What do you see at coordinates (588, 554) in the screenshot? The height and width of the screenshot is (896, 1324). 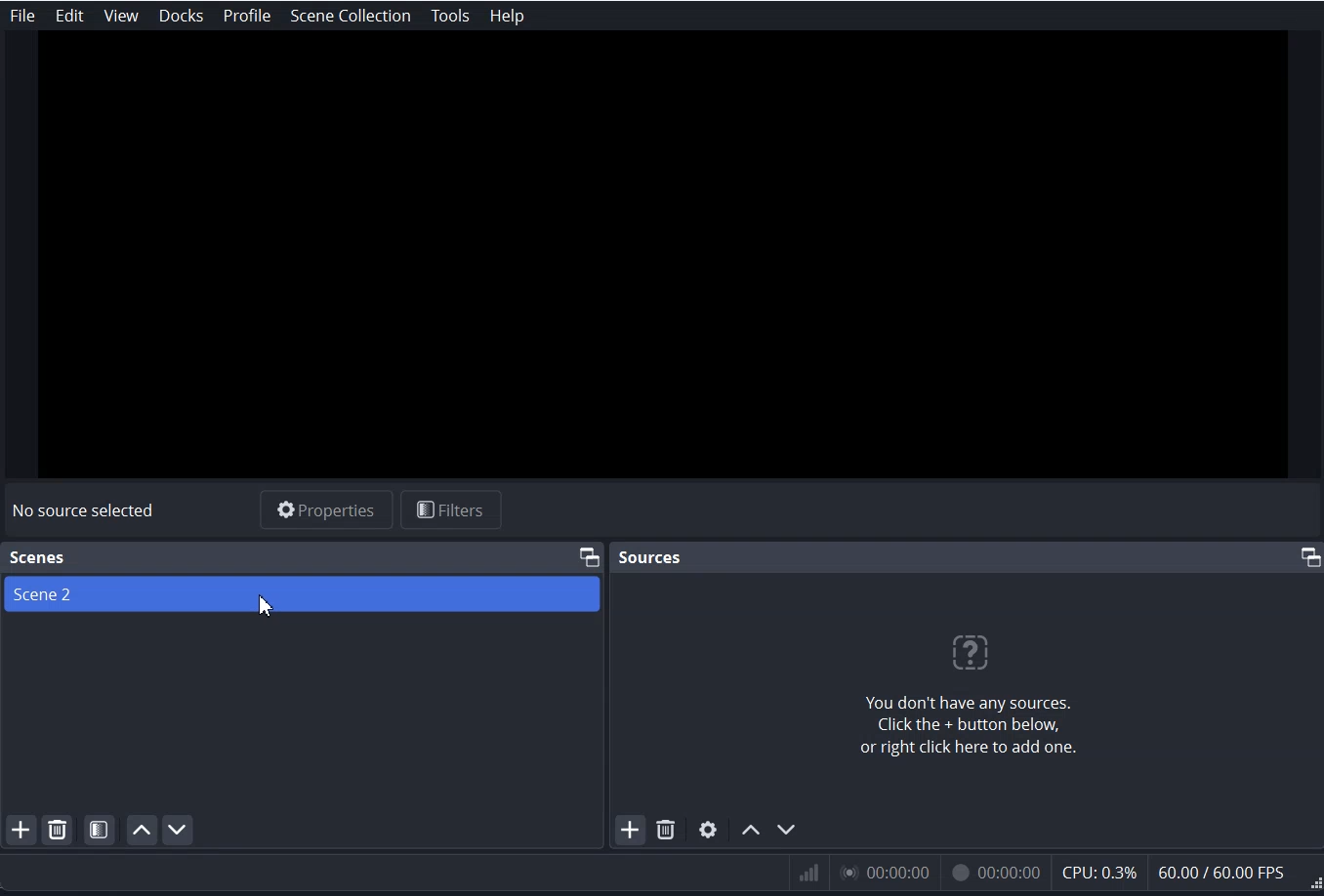 I see `Maximize` at bounding box center [588, 554].